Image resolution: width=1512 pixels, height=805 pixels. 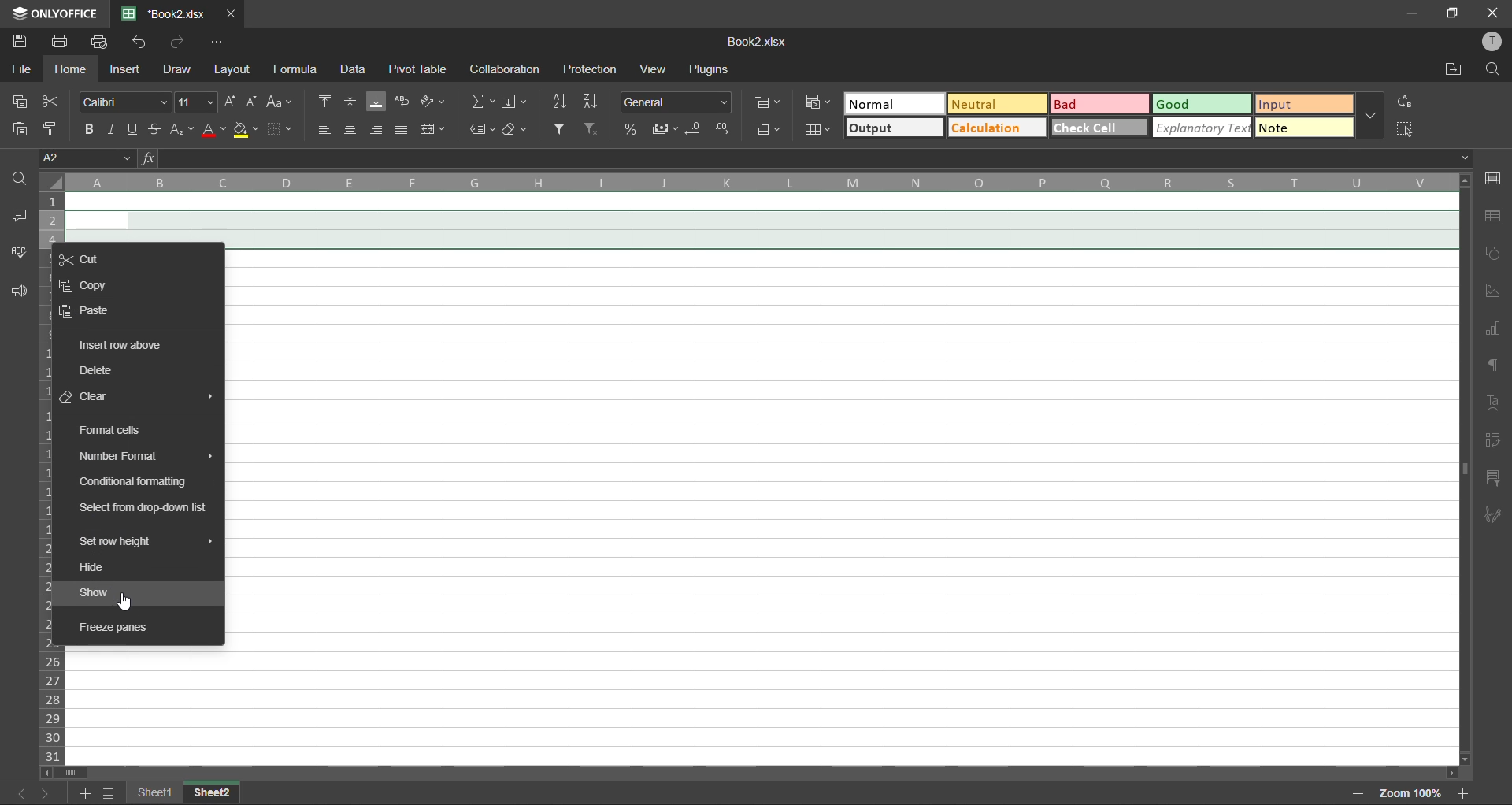 I want to click on file, so click(x=22, y=68).